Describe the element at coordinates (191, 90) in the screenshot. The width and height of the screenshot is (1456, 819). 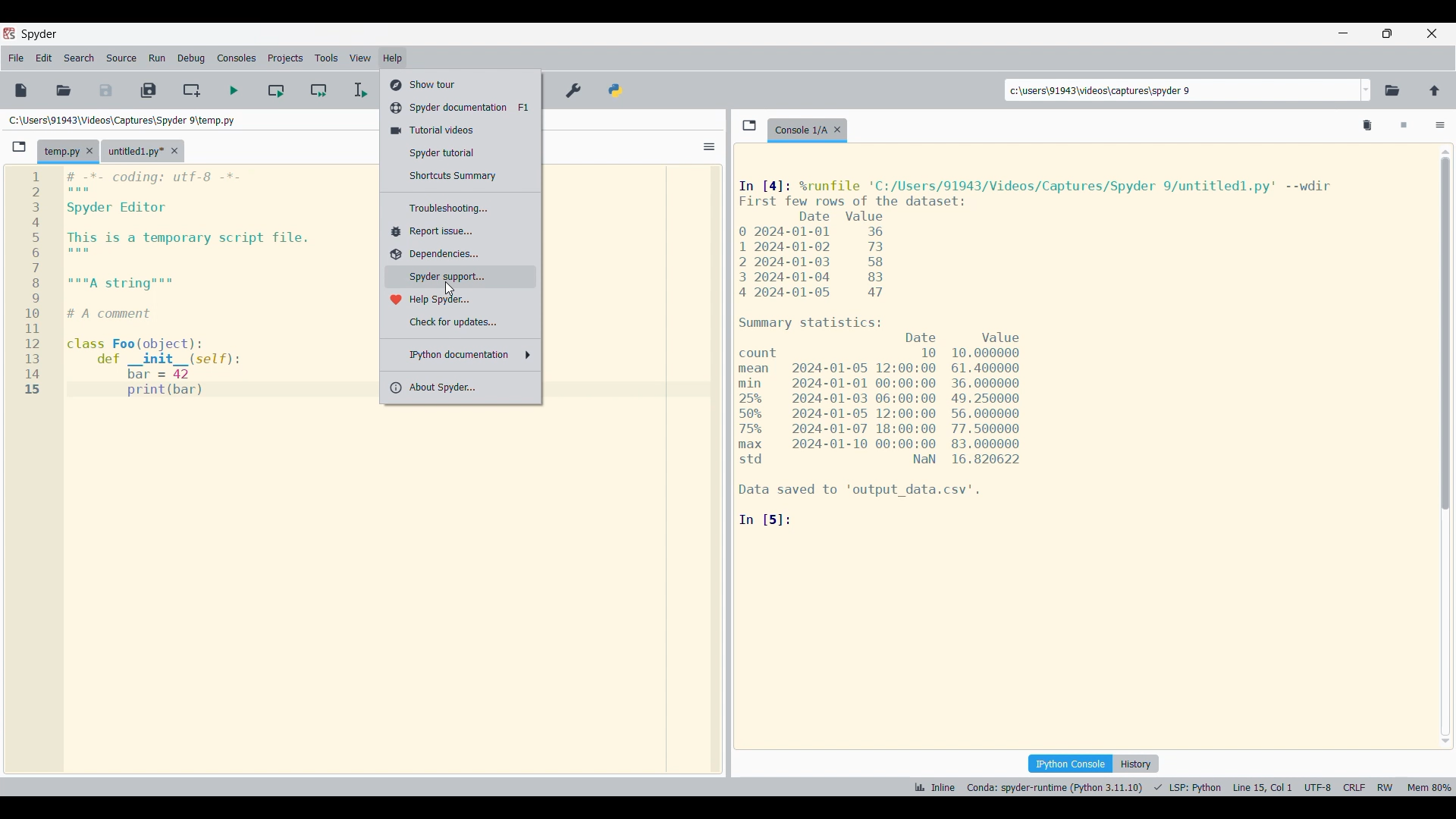
I see `Create new cell at the current line` at that location.